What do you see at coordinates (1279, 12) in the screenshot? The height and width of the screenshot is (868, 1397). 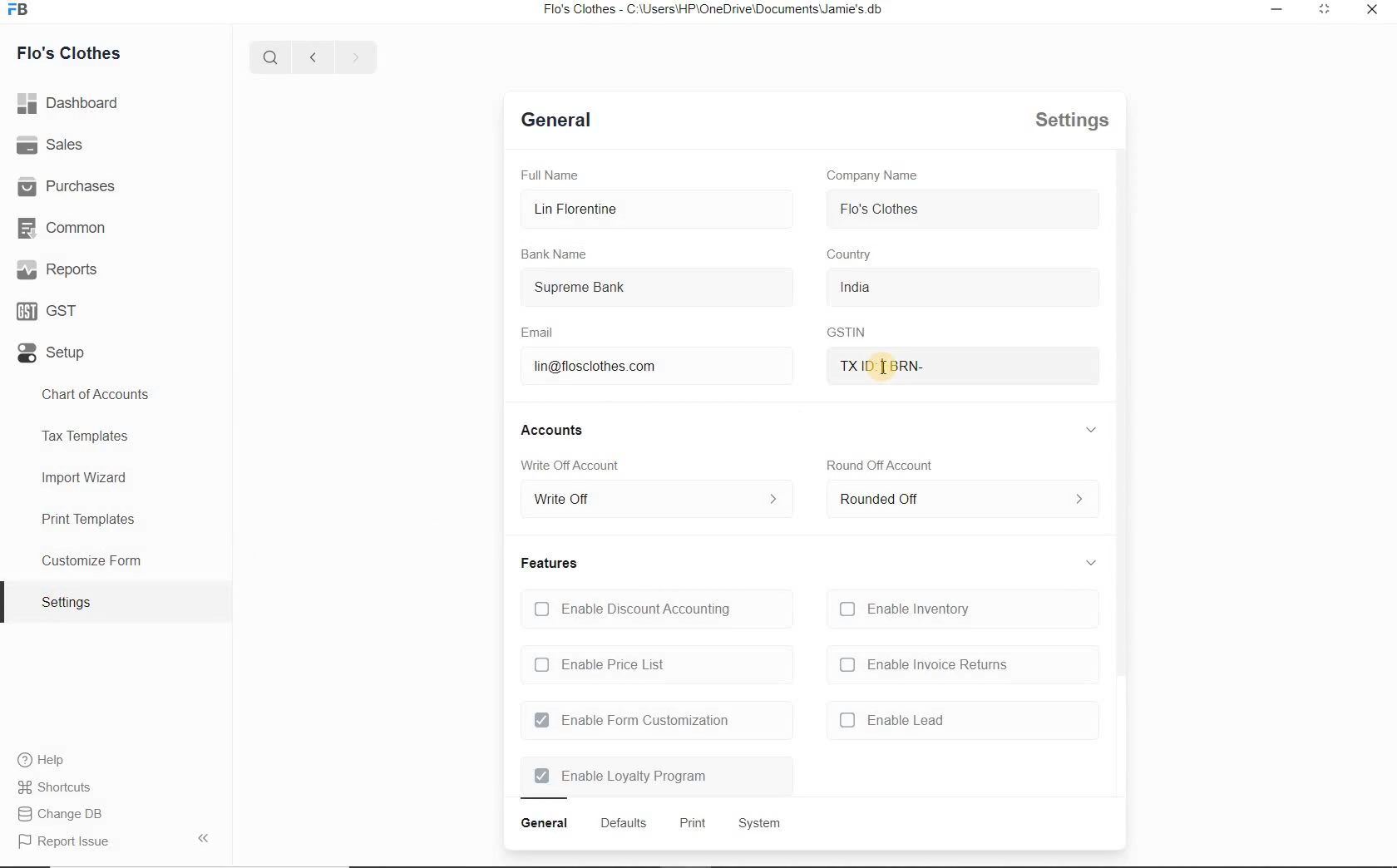 I see `restore` at bounding box center [1279, 12].